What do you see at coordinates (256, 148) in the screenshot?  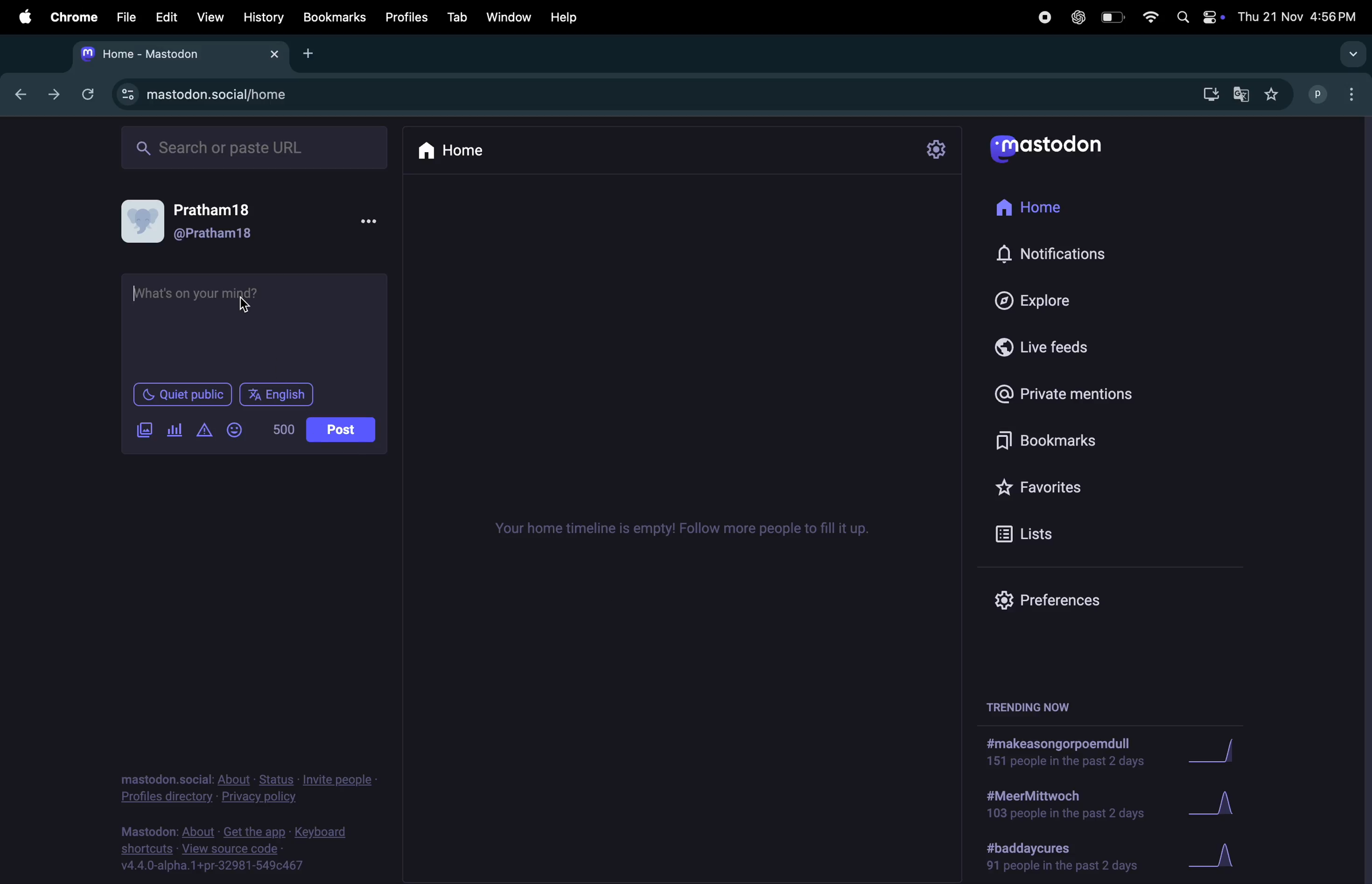 I see `searchbar` at bounding box center [256, 148].